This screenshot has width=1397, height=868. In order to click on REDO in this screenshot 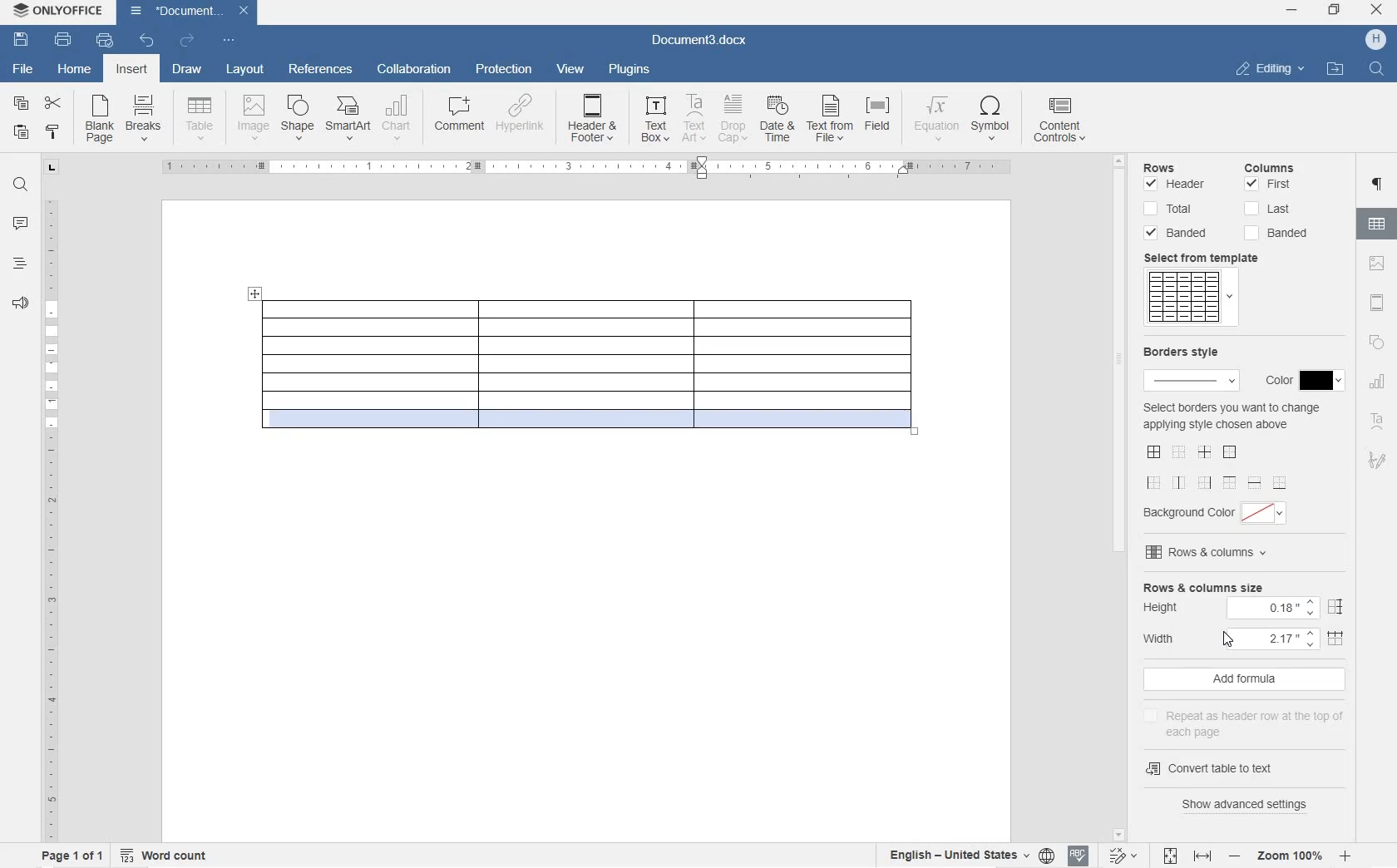, I will do `click(186, 40)`.